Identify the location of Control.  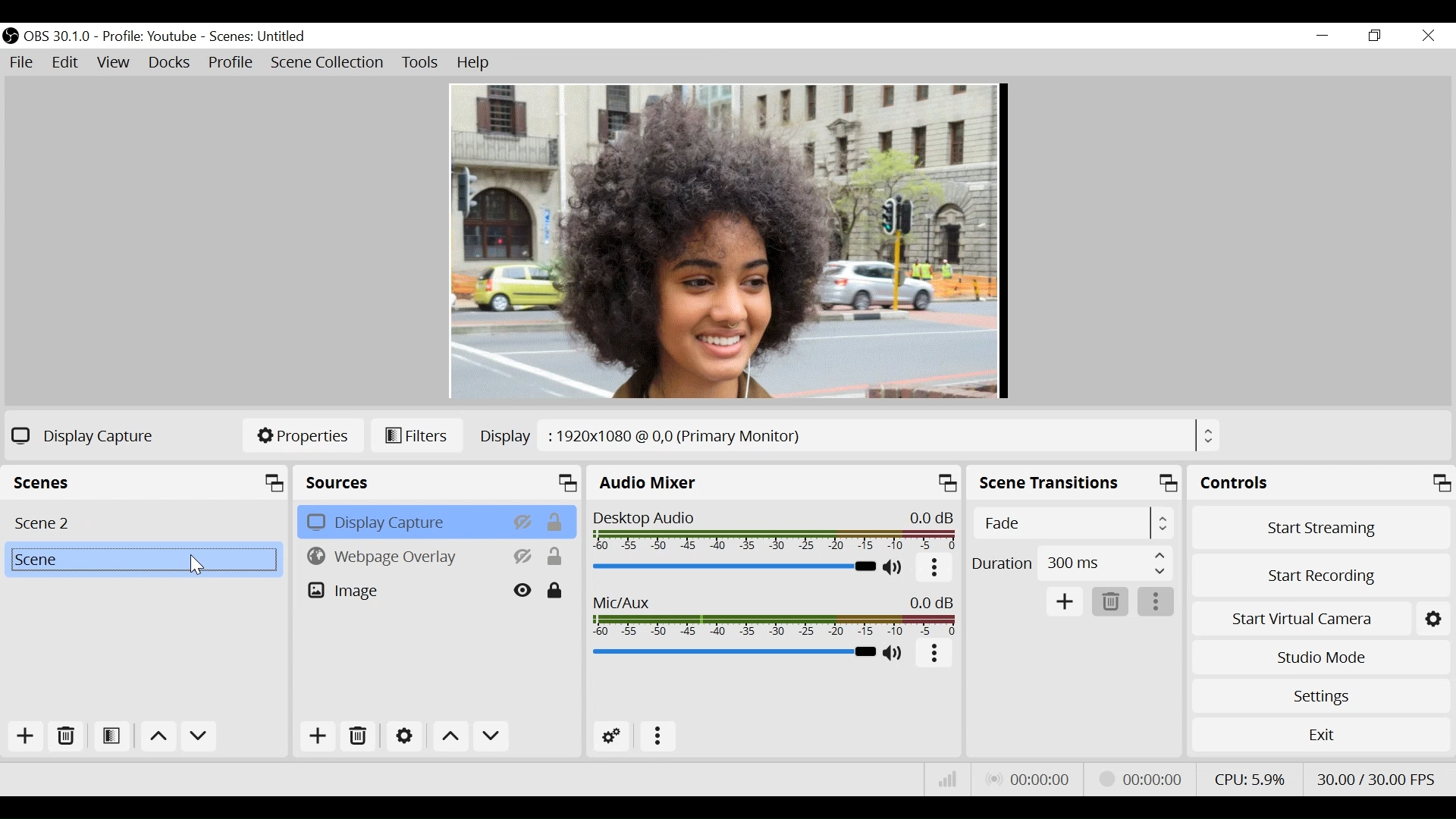
(1320, 482).